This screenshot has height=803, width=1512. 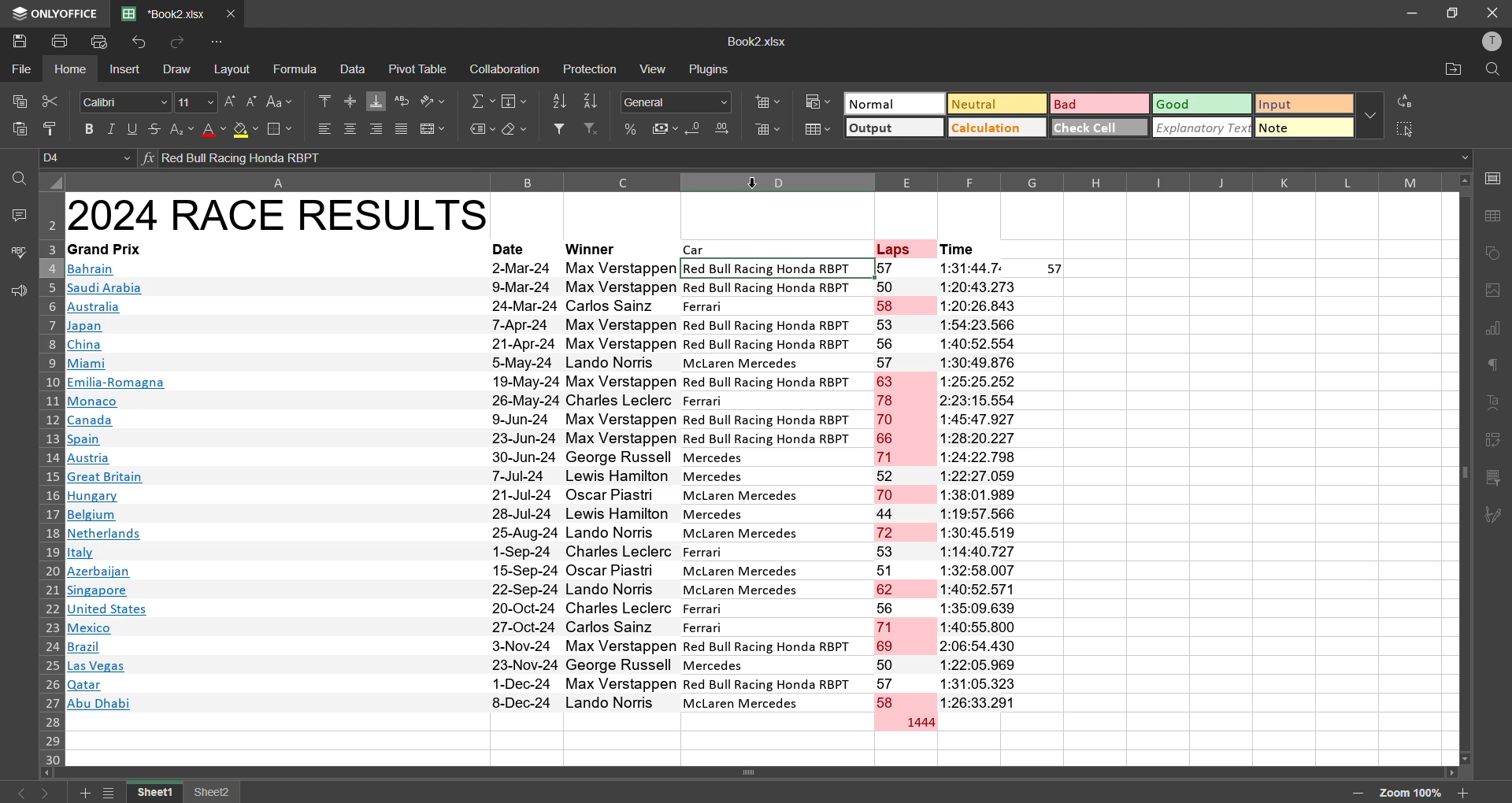 What do you see at coordinates (502, 70) in the screenshot?
I see `collaboration` at bounding box center [502, 70].